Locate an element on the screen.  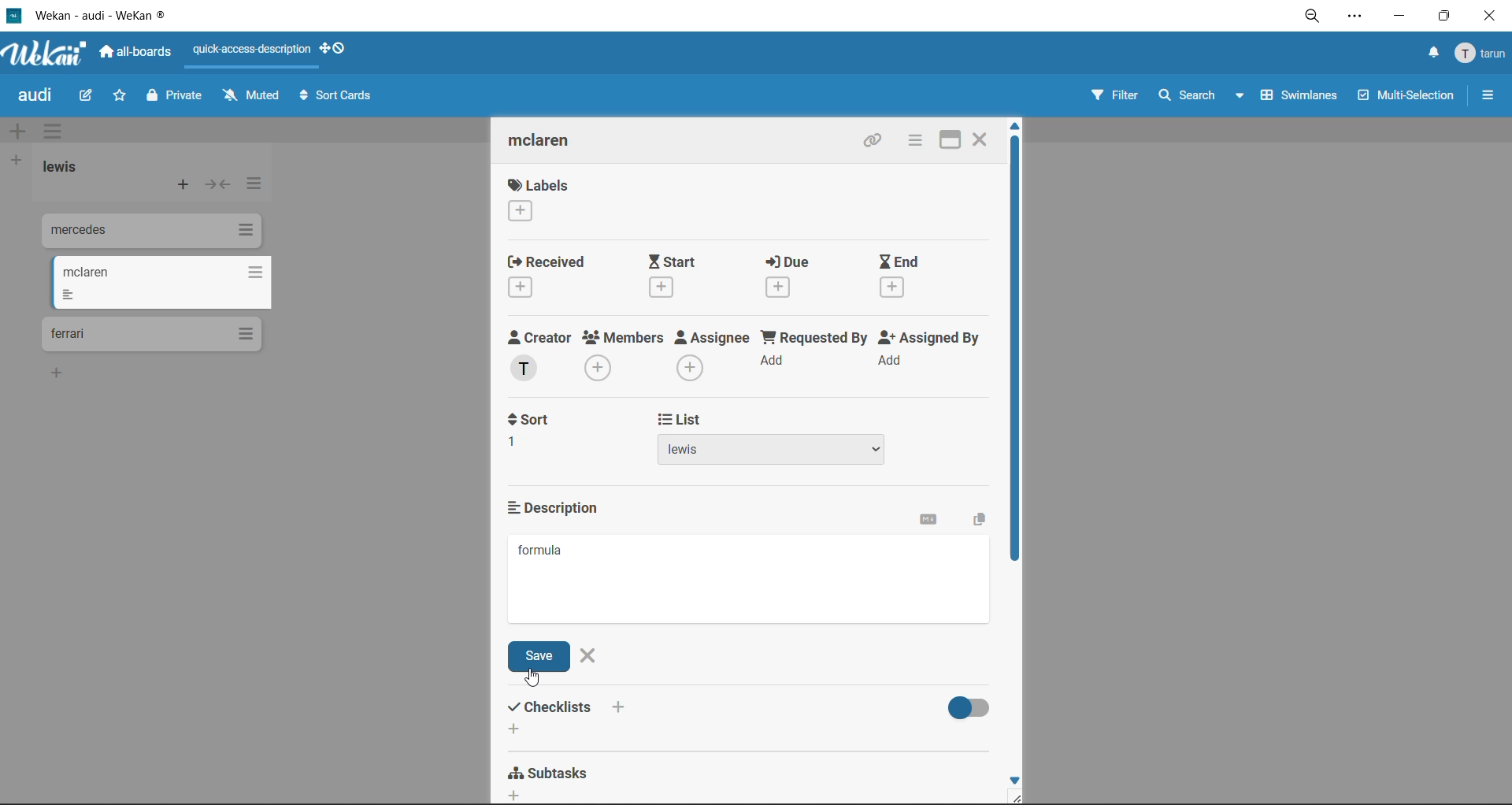
add card is located at coordinates (184, 187).